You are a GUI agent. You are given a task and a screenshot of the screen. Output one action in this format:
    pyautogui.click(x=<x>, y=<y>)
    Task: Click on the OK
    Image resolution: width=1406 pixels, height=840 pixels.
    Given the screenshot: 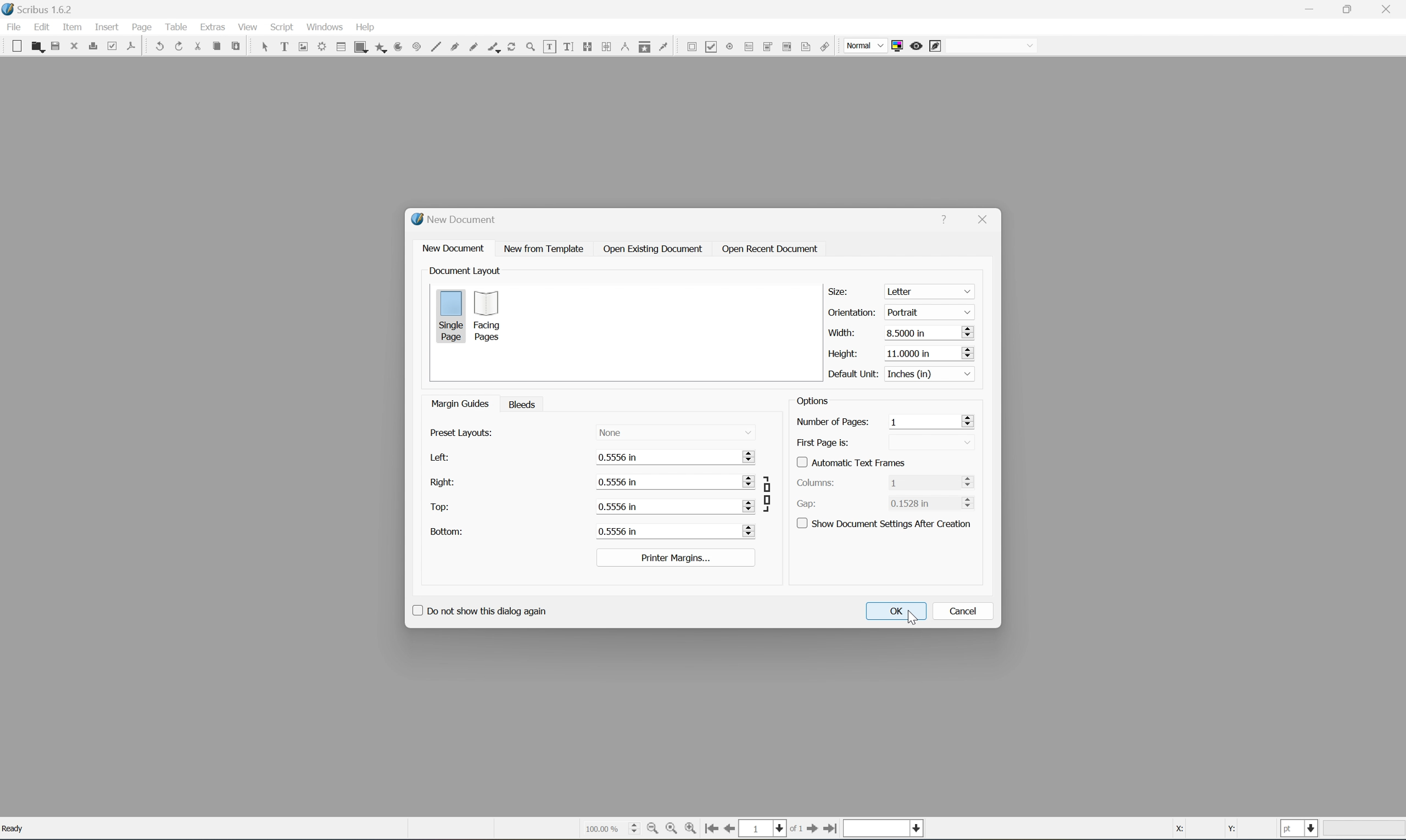 What is the action you would take?
    pyautogui.click(x=899, y=611)
    